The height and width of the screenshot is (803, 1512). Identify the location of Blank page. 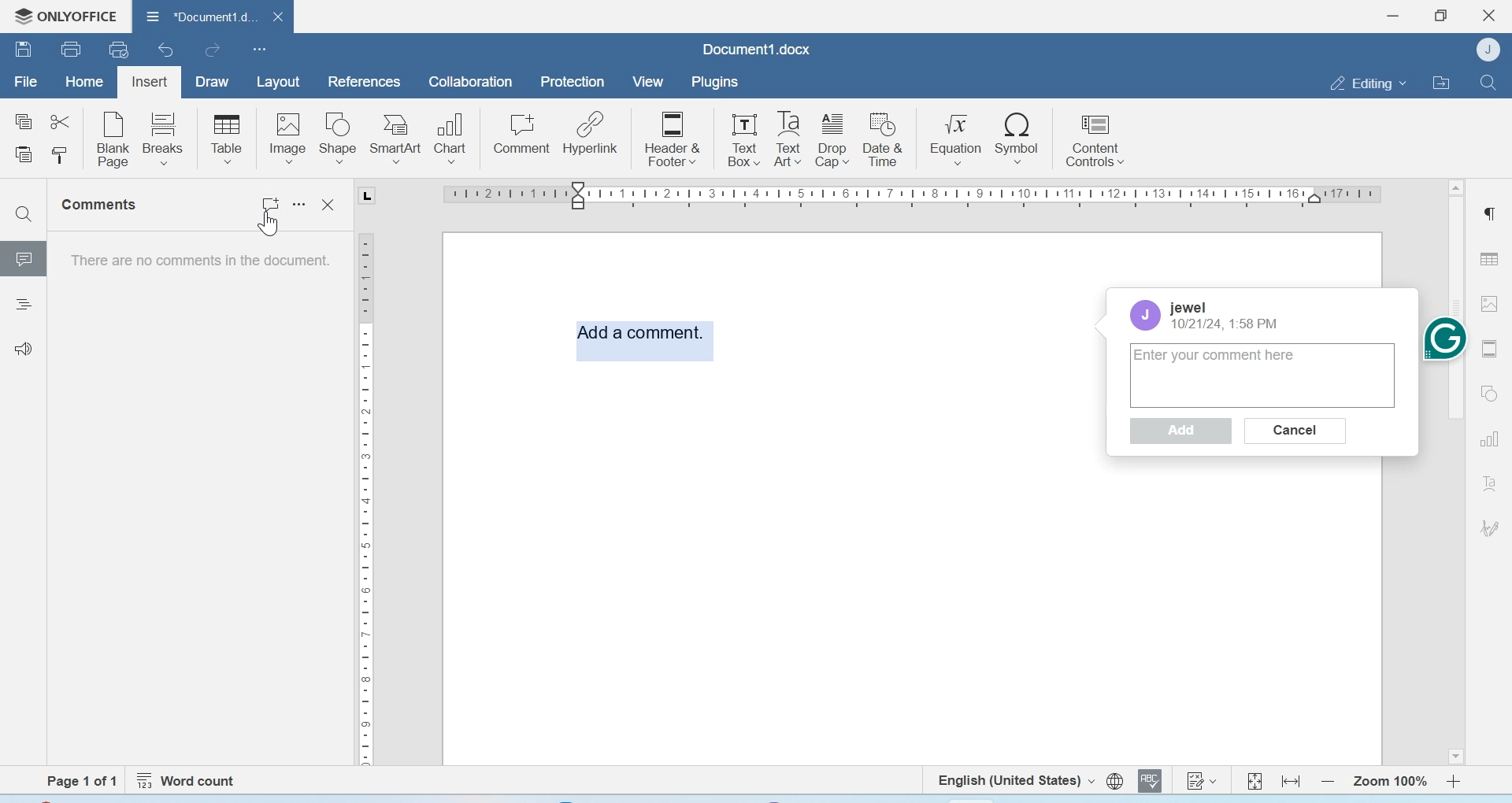
(114, 139).